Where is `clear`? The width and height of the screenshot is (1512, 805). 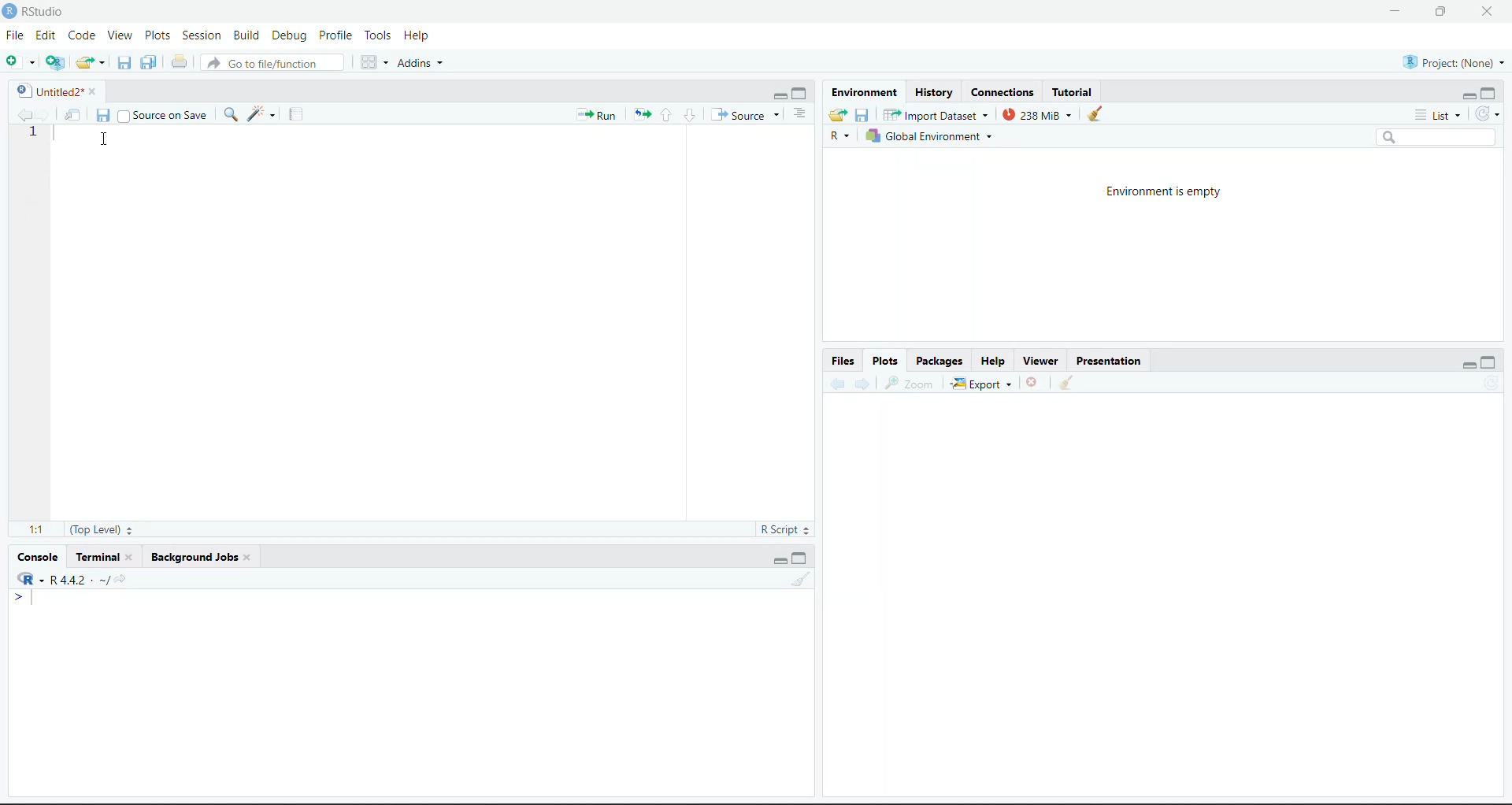
clear is located at coordinates (1066, 381).